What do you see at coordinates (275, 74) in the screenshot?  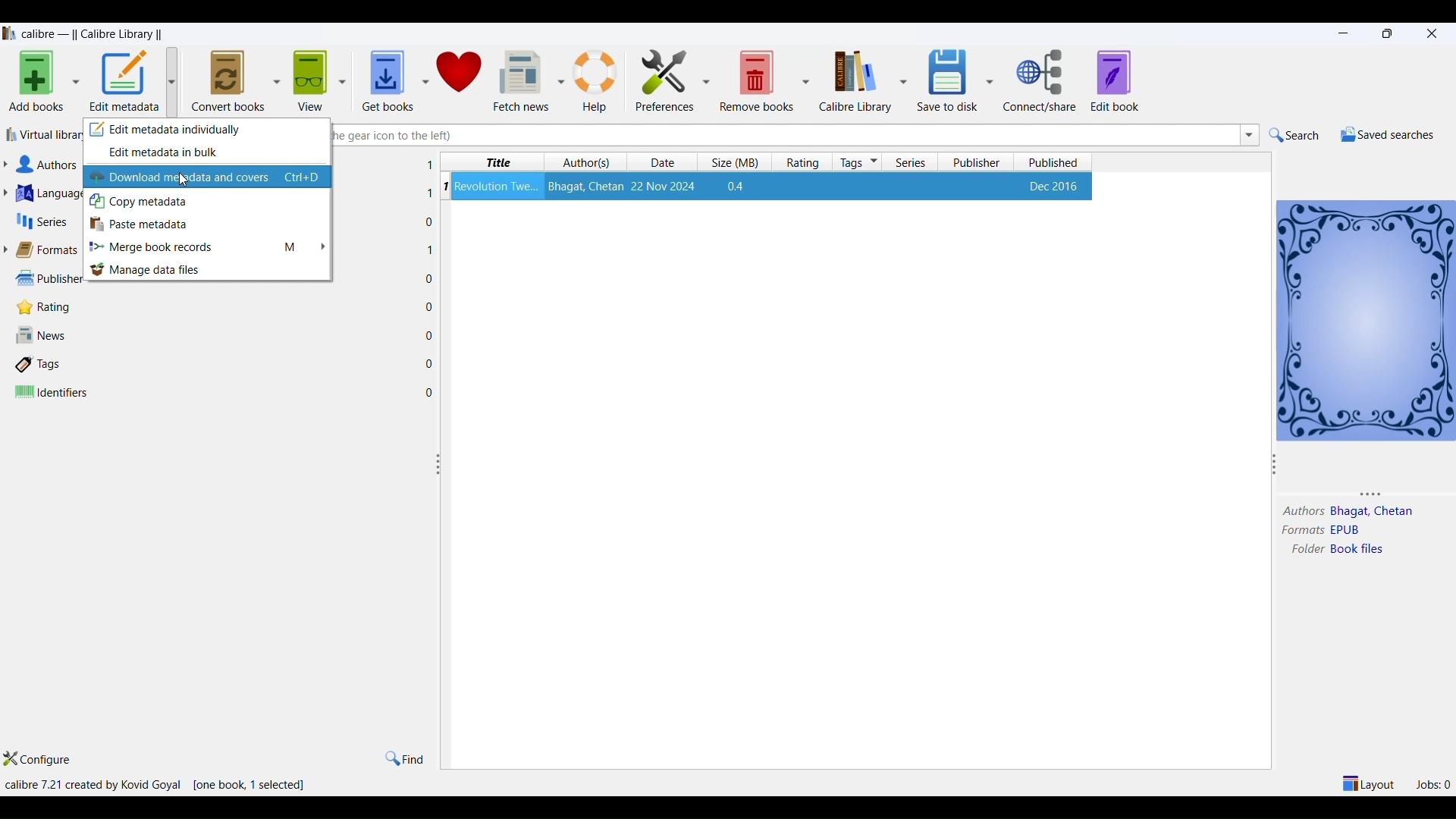 I see `convert book options dropdown button` at bounding box center [275, 74].